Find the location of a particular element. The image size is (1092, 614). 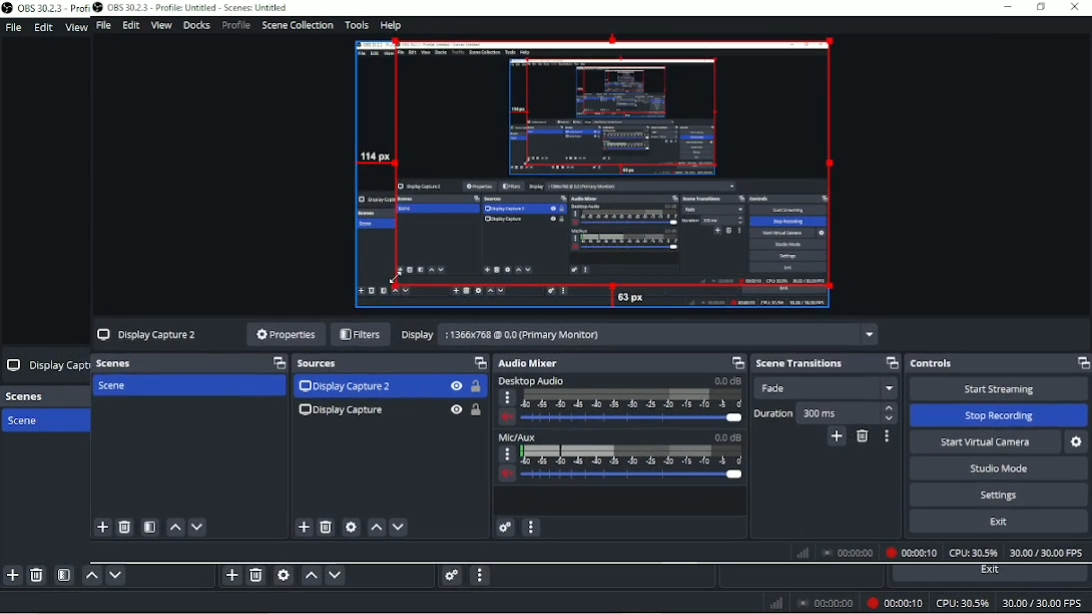

Hide is located at coordinates (453, 388).